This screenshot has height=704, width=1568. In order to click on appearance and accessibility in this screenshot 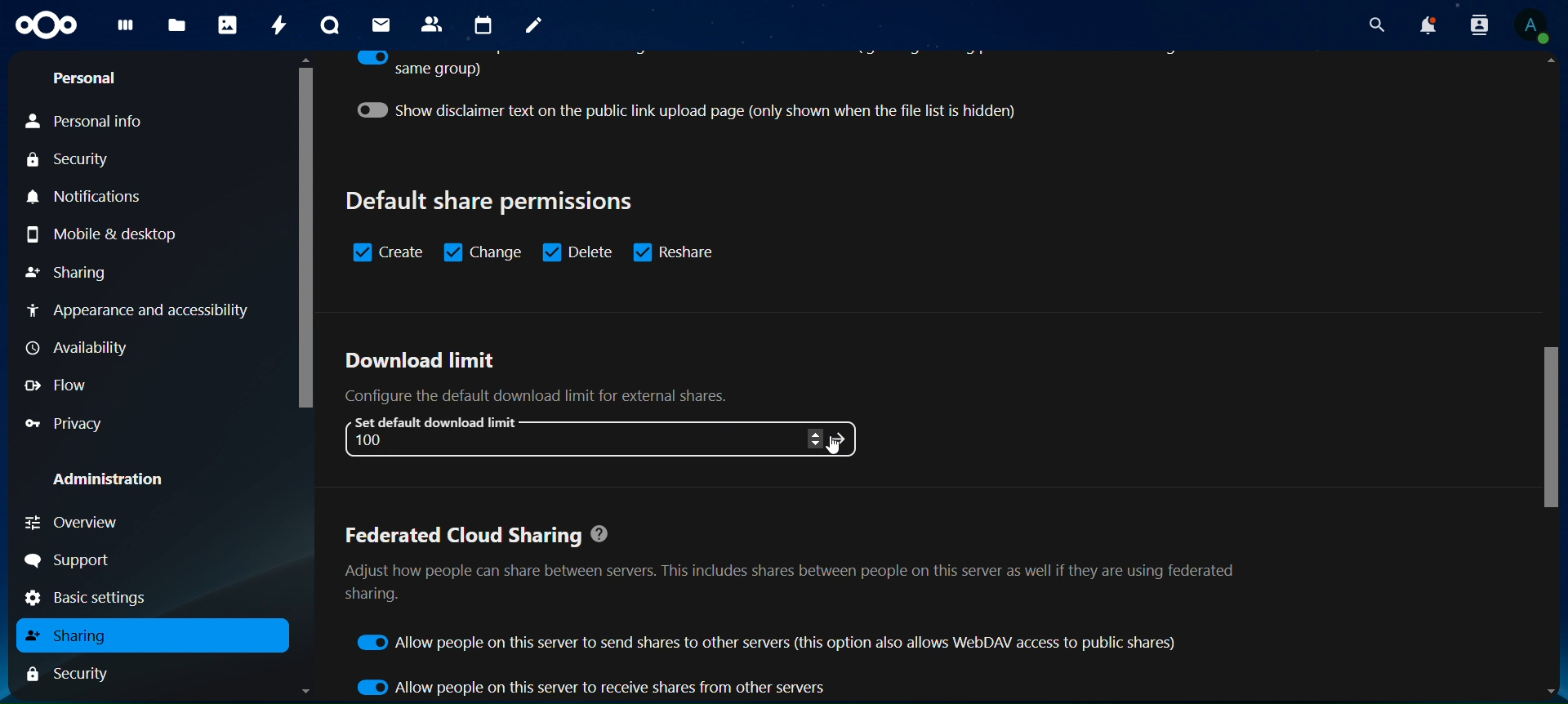, I will do `click(140, 311)`.